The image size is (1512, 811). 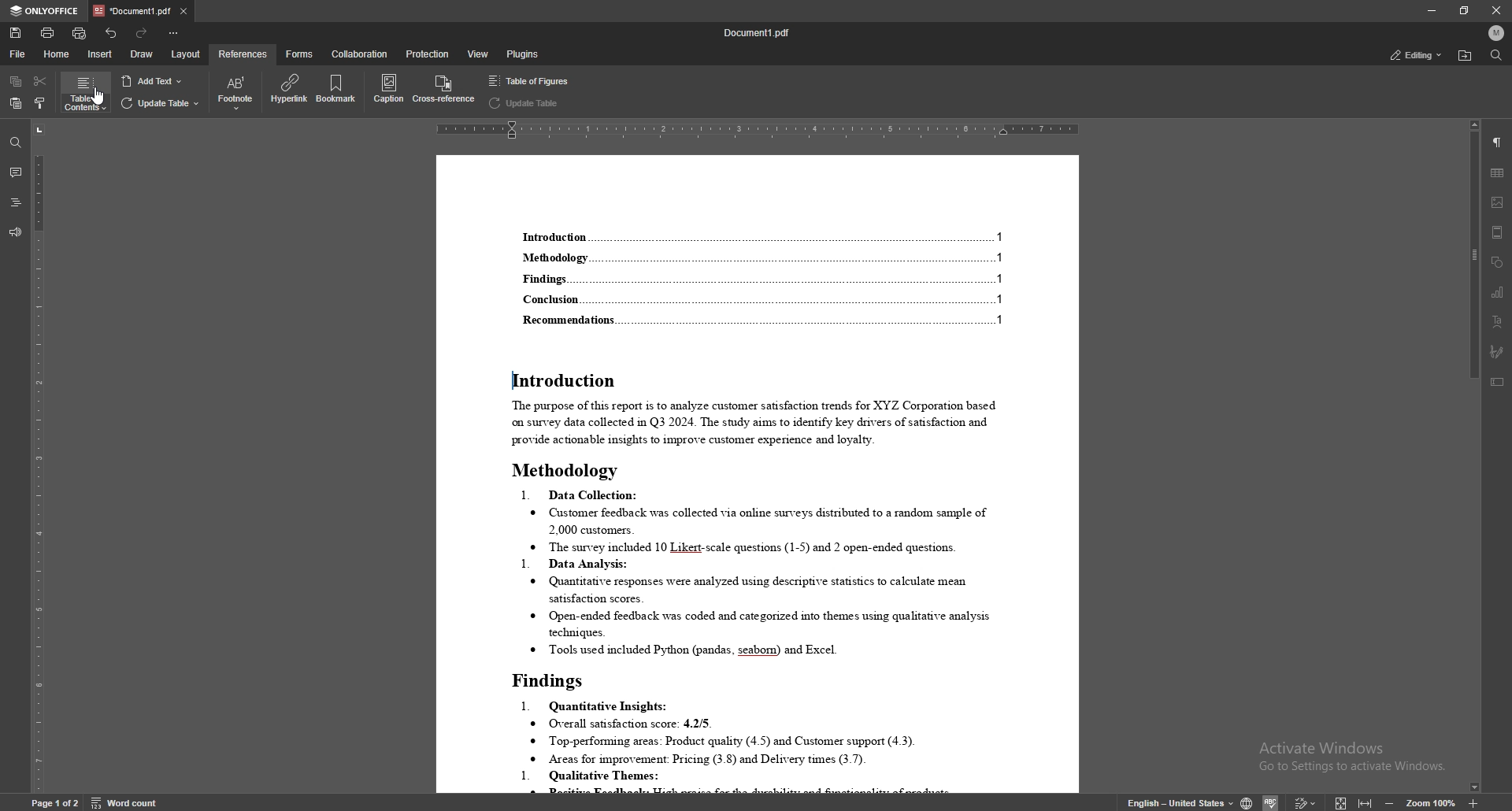 I want to click on plugins, so click(x=523, y=55).